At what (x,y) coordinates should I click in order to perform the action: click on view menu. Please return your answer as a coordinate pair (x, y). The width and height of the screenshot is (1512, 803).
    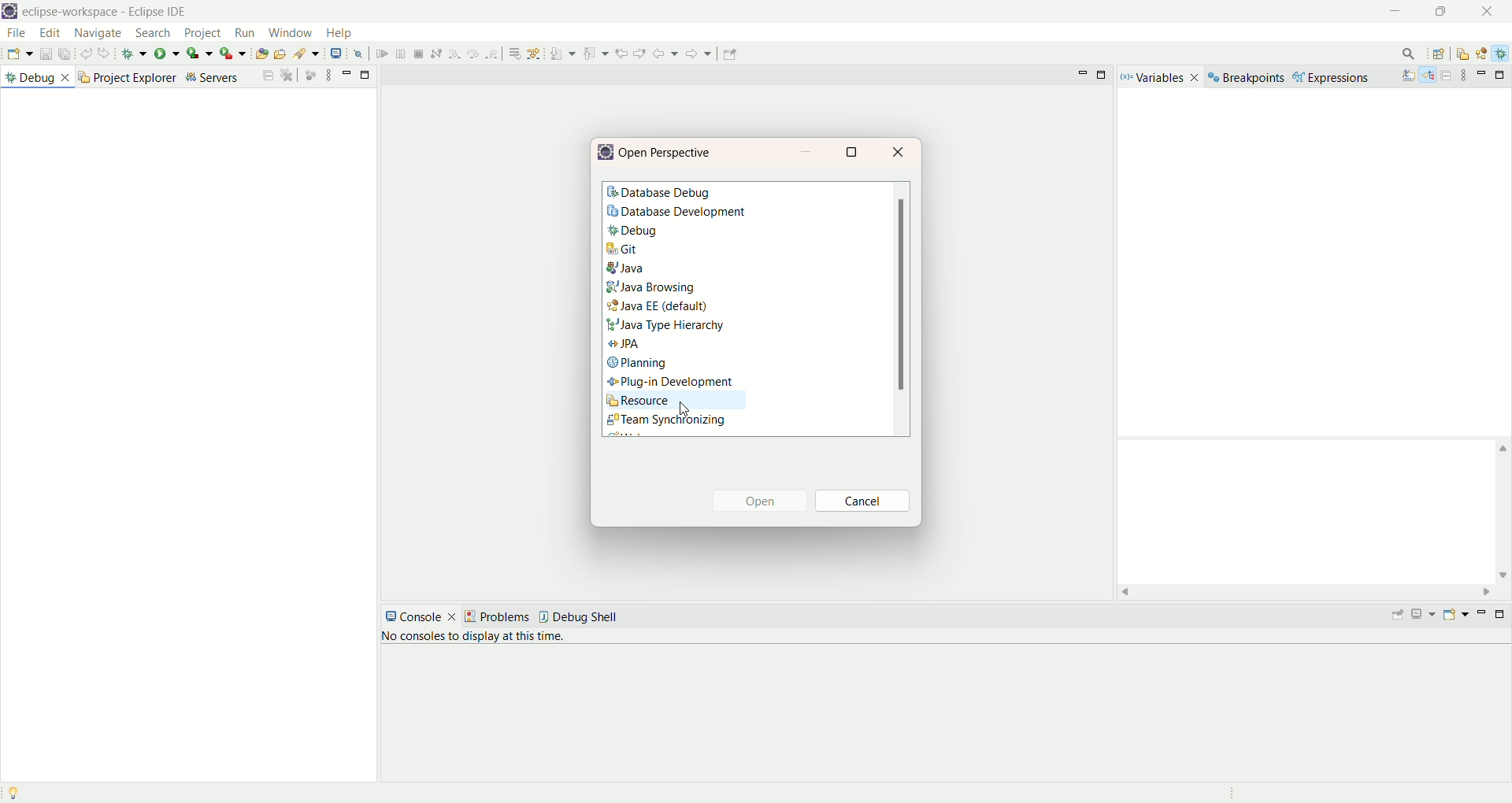
    Looking at the image, I should click on (1467, 76).